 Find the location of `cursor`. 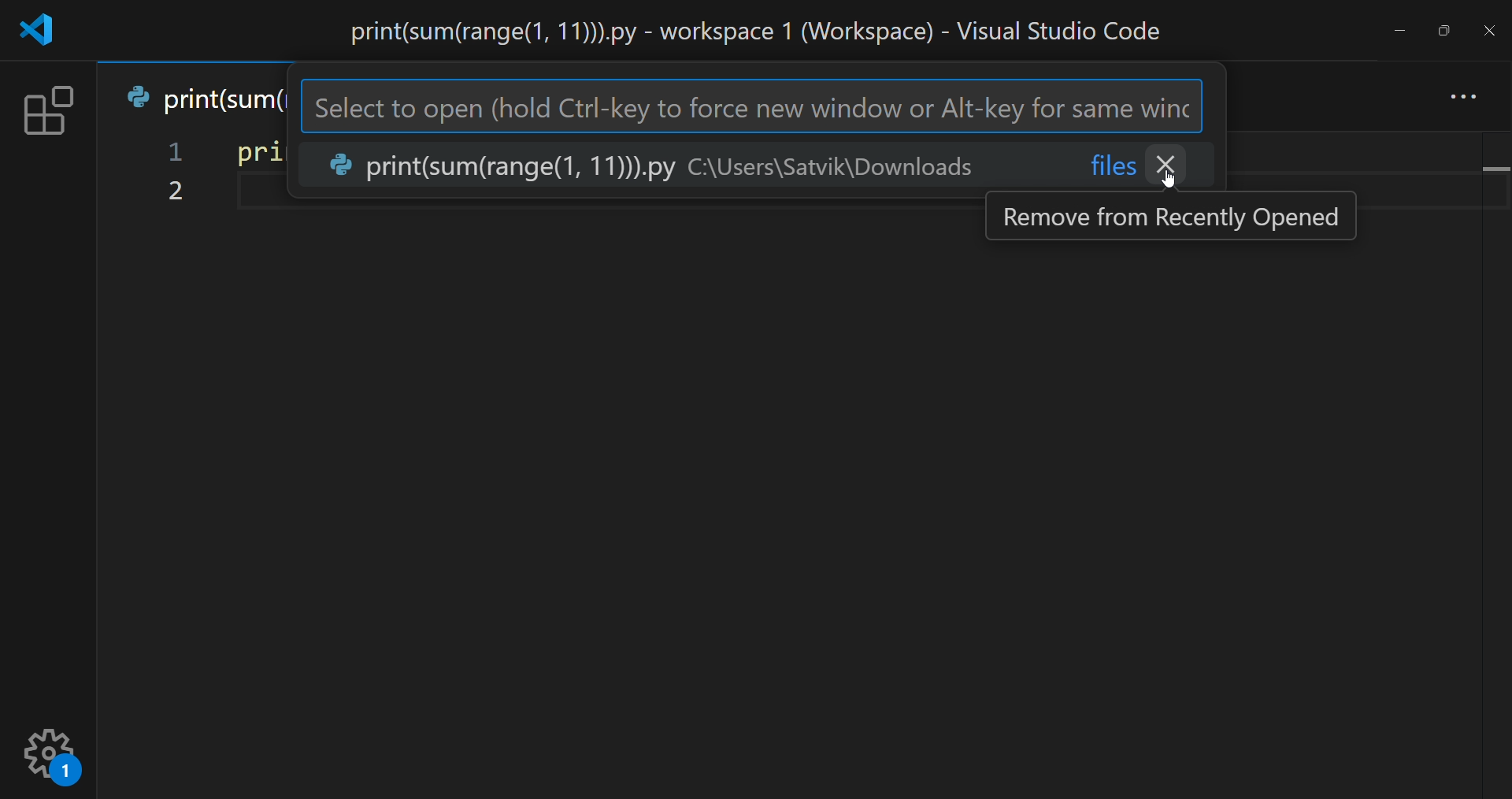

cursor is located at coordinates (1172, 191).